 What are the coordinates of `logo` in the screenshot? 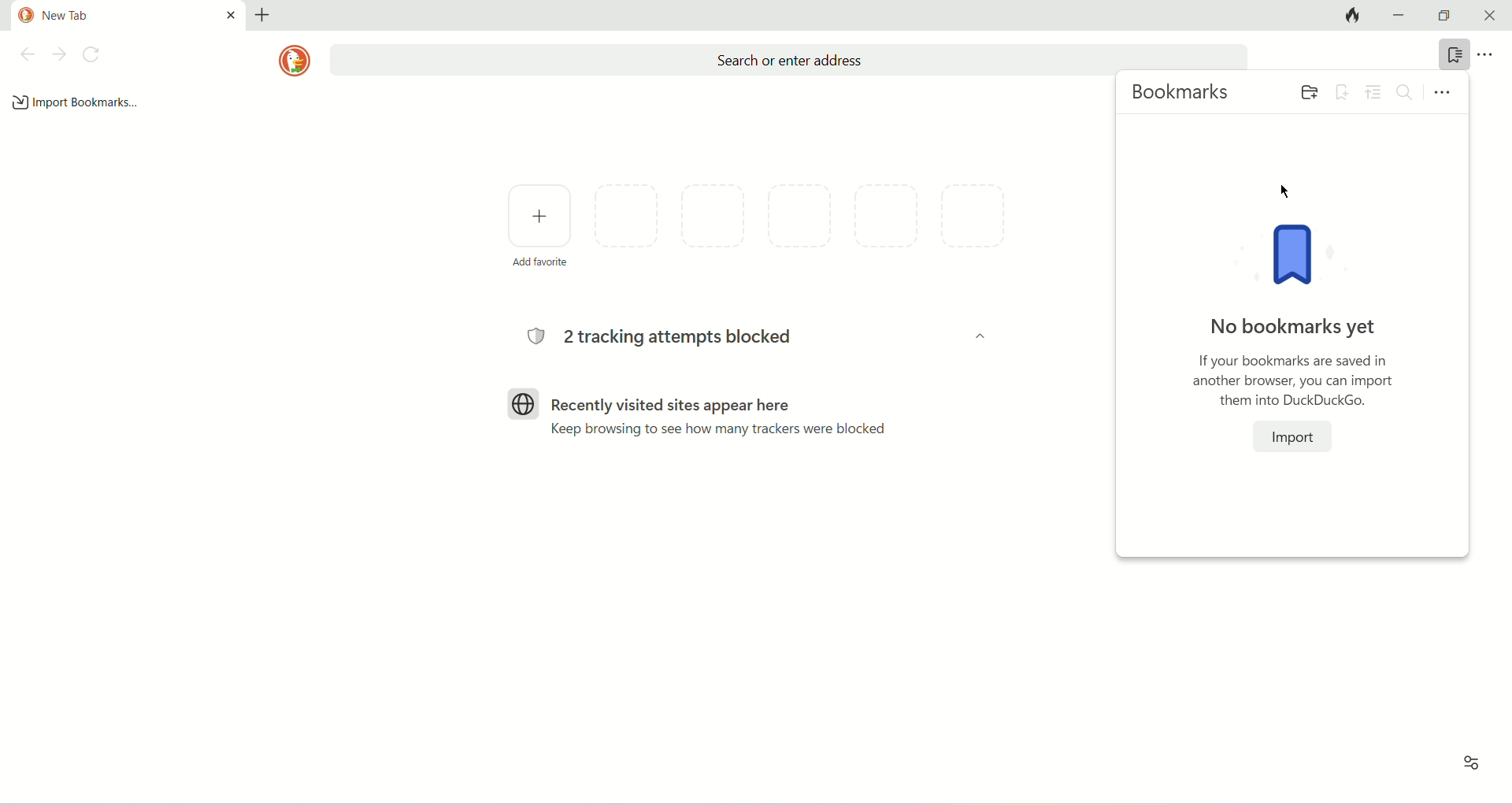 It's located at (295, 61).